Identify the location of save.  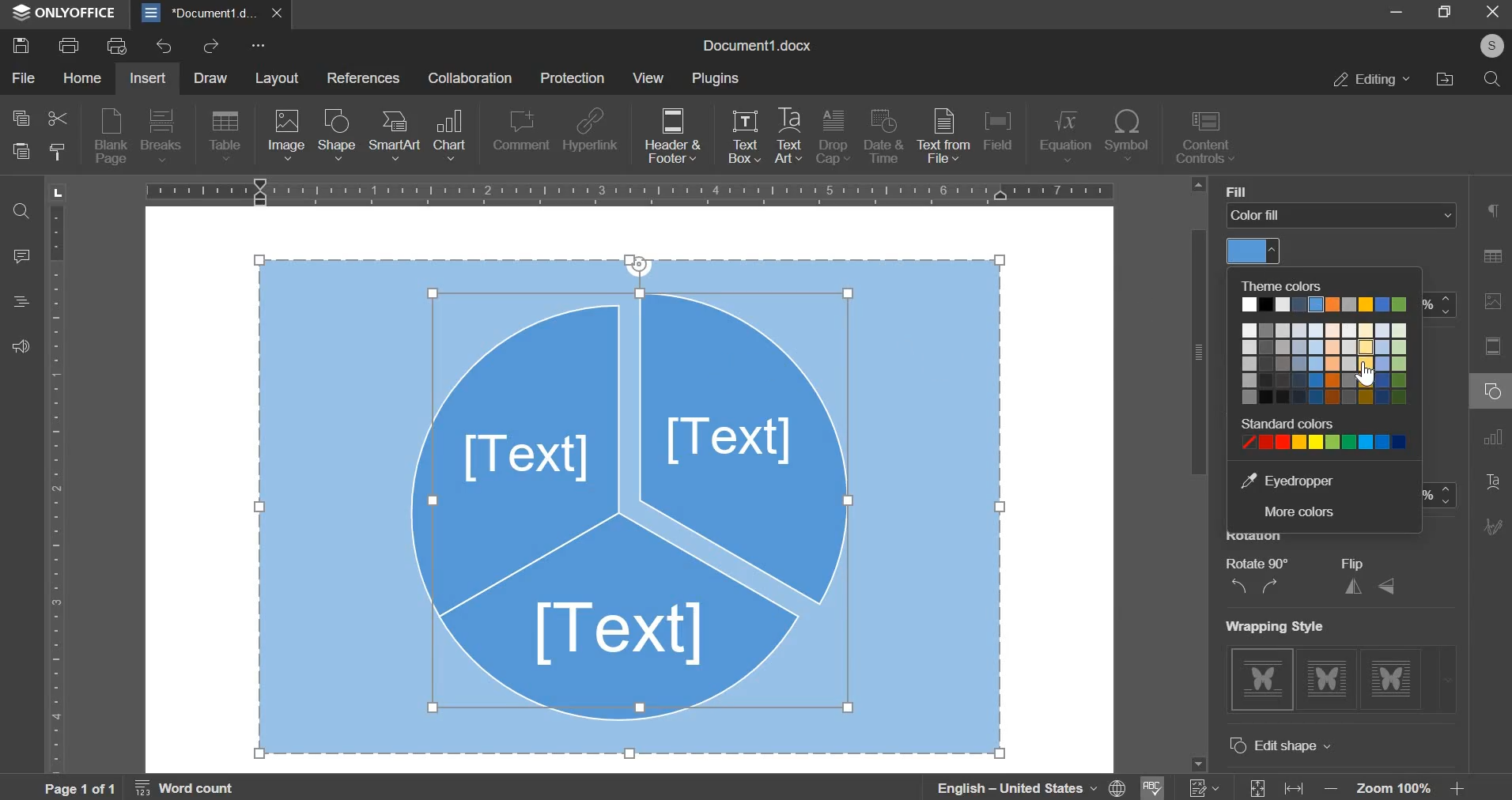
(21, 45).